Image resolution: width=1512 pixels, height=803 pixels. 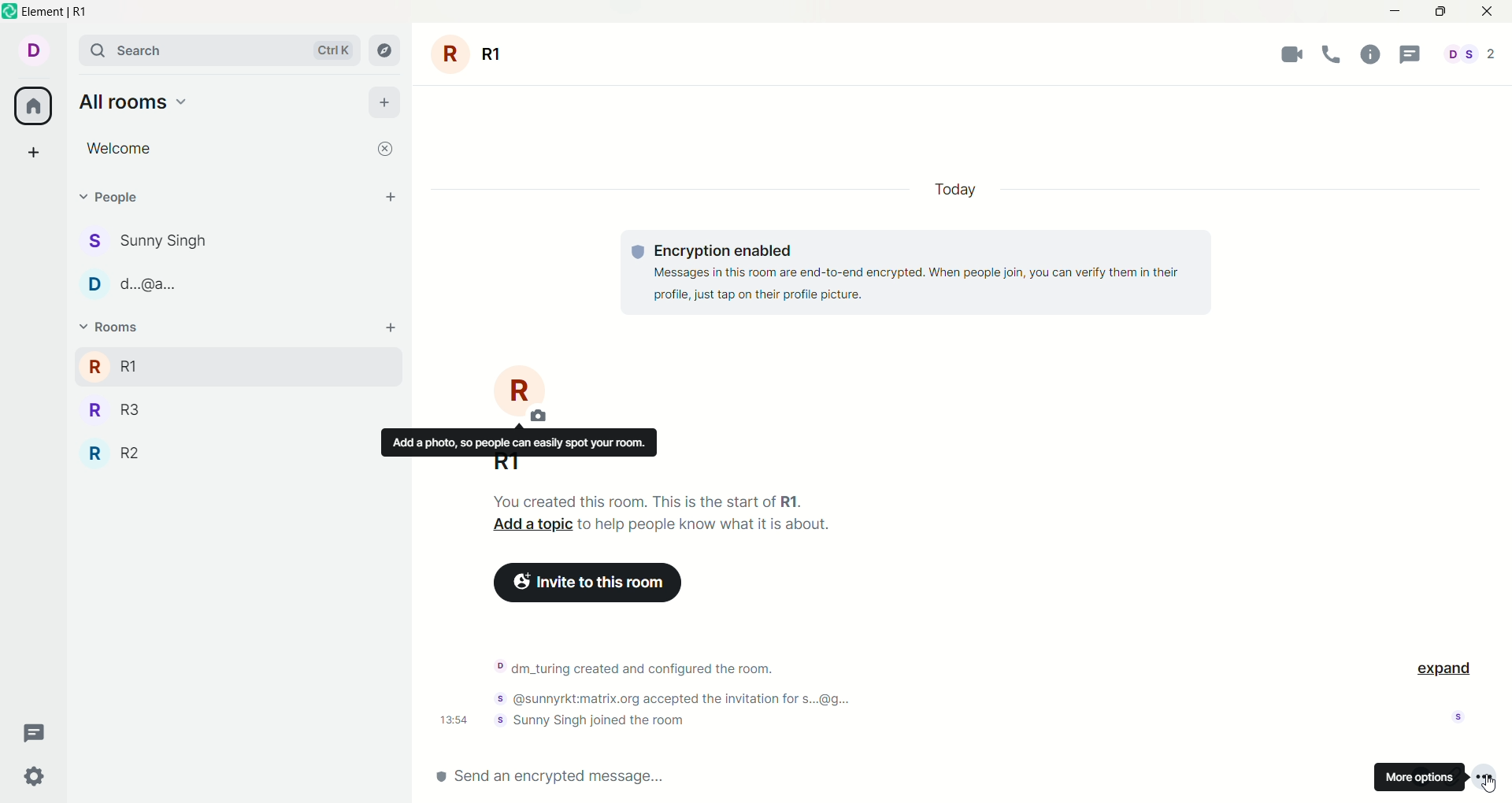 What do you see at coordinates (1470, 54) in the screenshot?
I see `All people involved` at bounding box center [1470, 54].